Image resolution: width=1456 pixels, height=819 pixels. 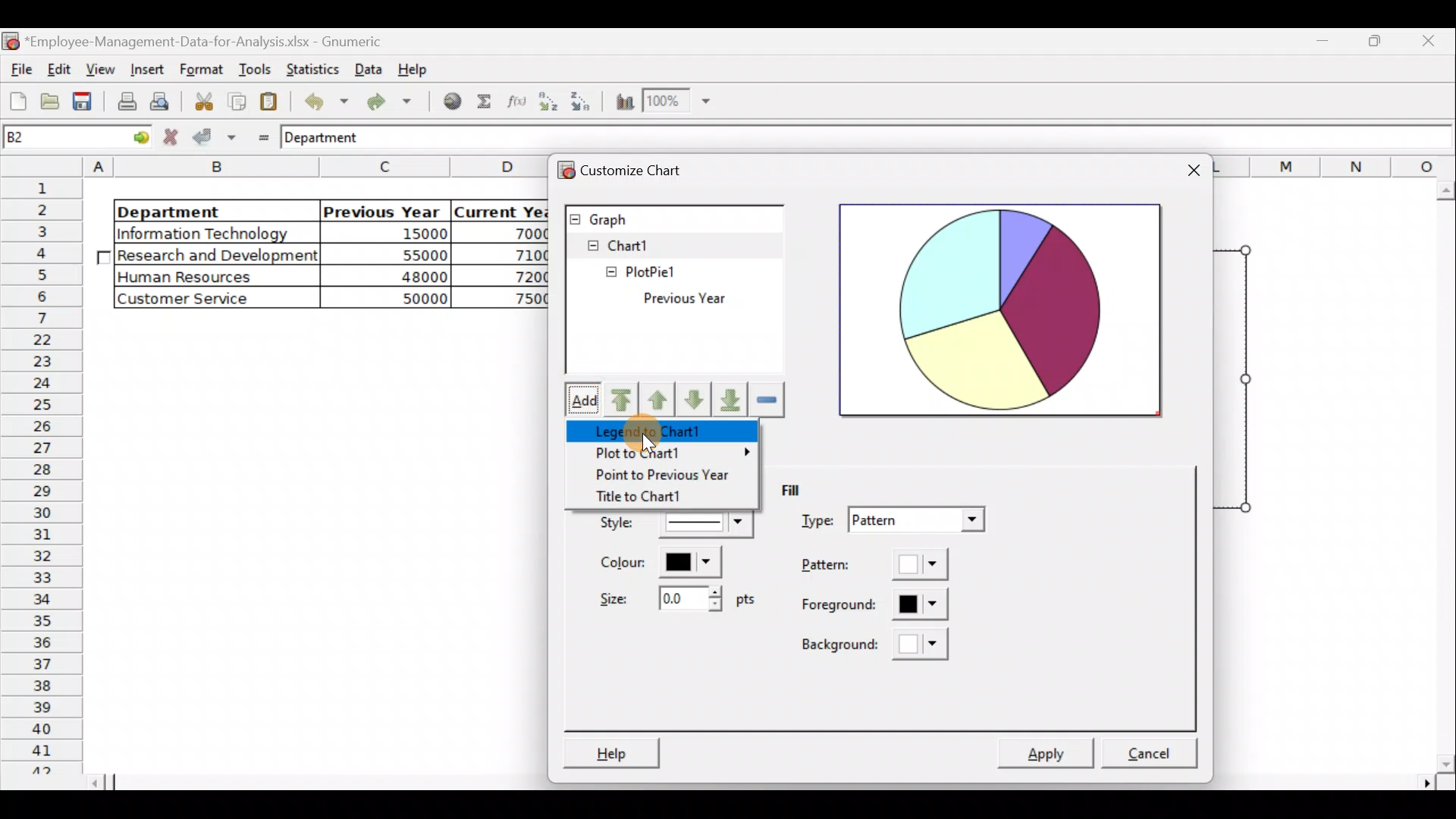 I want to click on Print current file, so click(x=124, y=103).